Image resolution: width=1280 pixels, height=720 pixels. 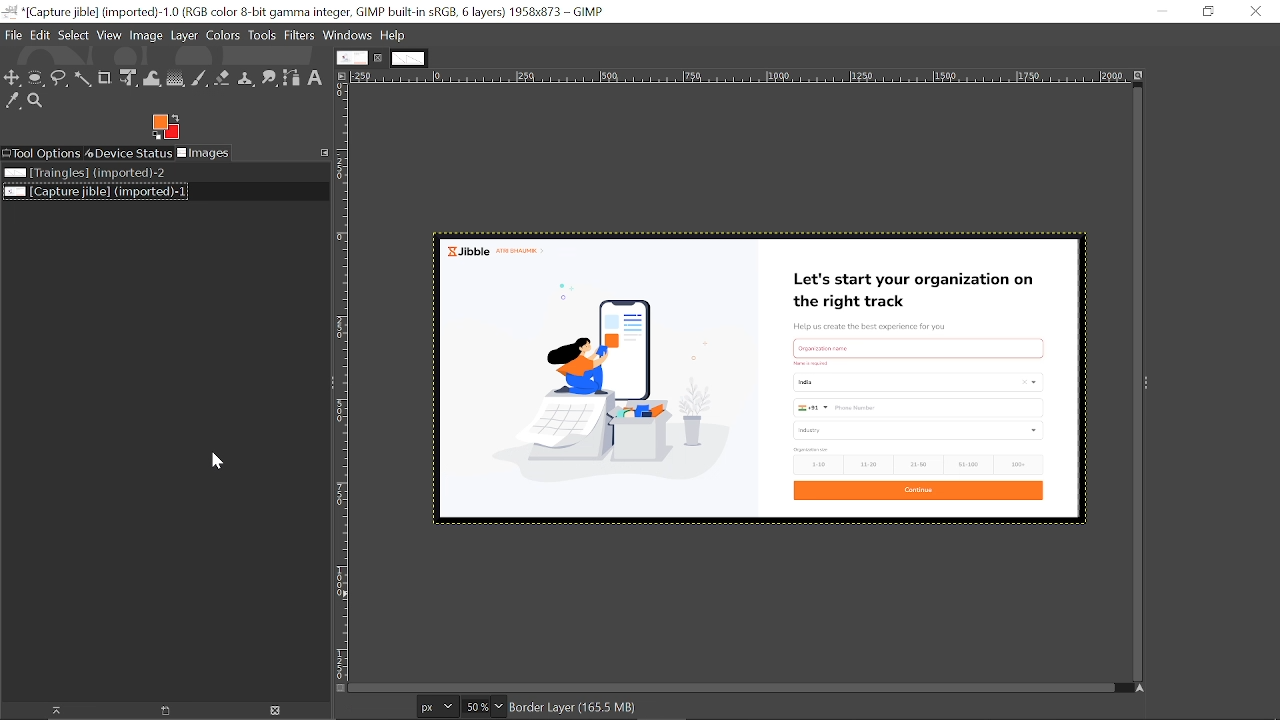 I want to click on Windows, so click(x=348, y=35).